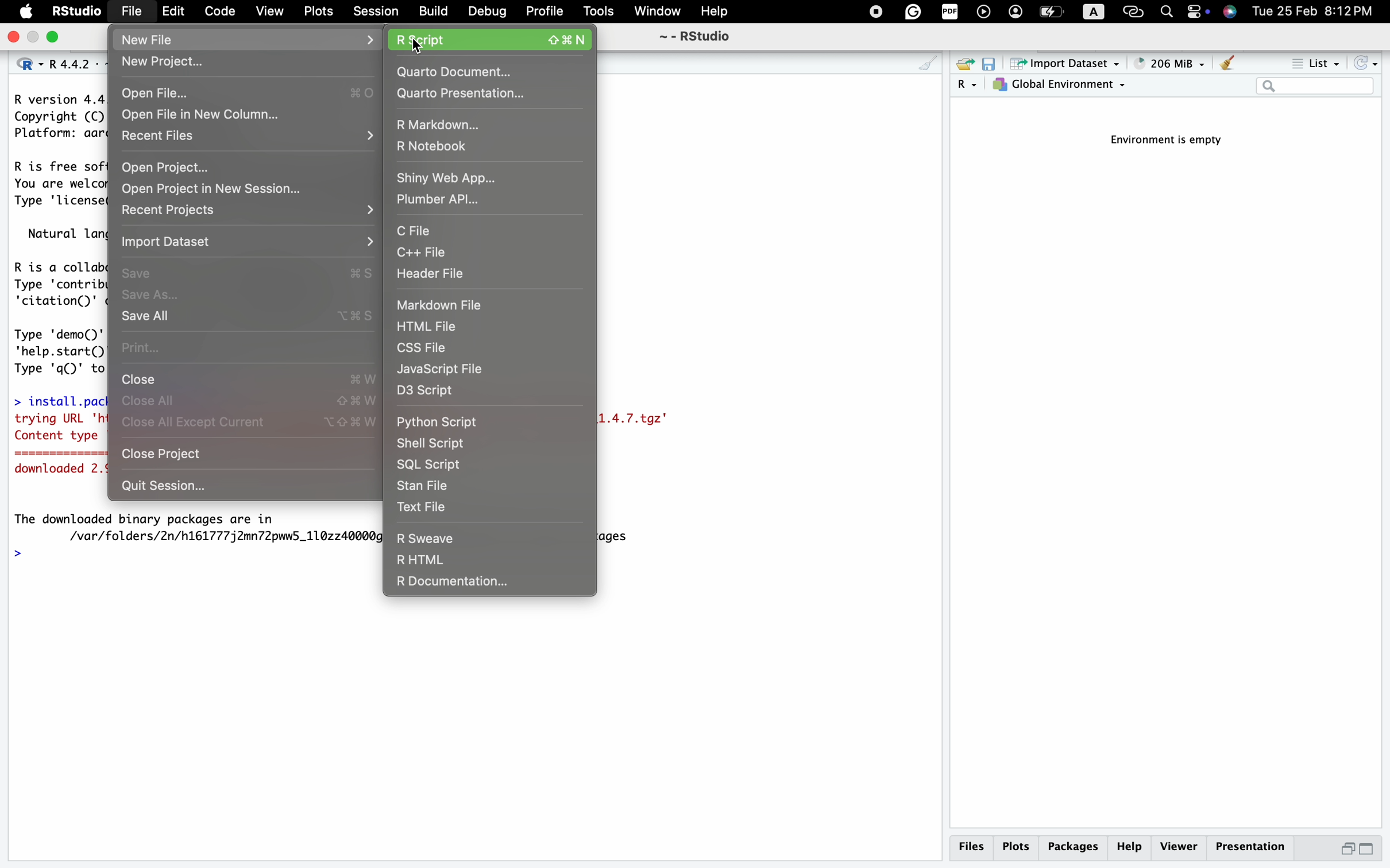 The image size is (1390, 868). I want to click on trying URL "https://cran.rstudio.com/bin/macosx/big-sur-armé4/contrib/4.4/RPostgres_1.4.7.tgz"
Content type 'application/x-gzip' length 3001229 bytes (2.9 MB), so click(59, 429).